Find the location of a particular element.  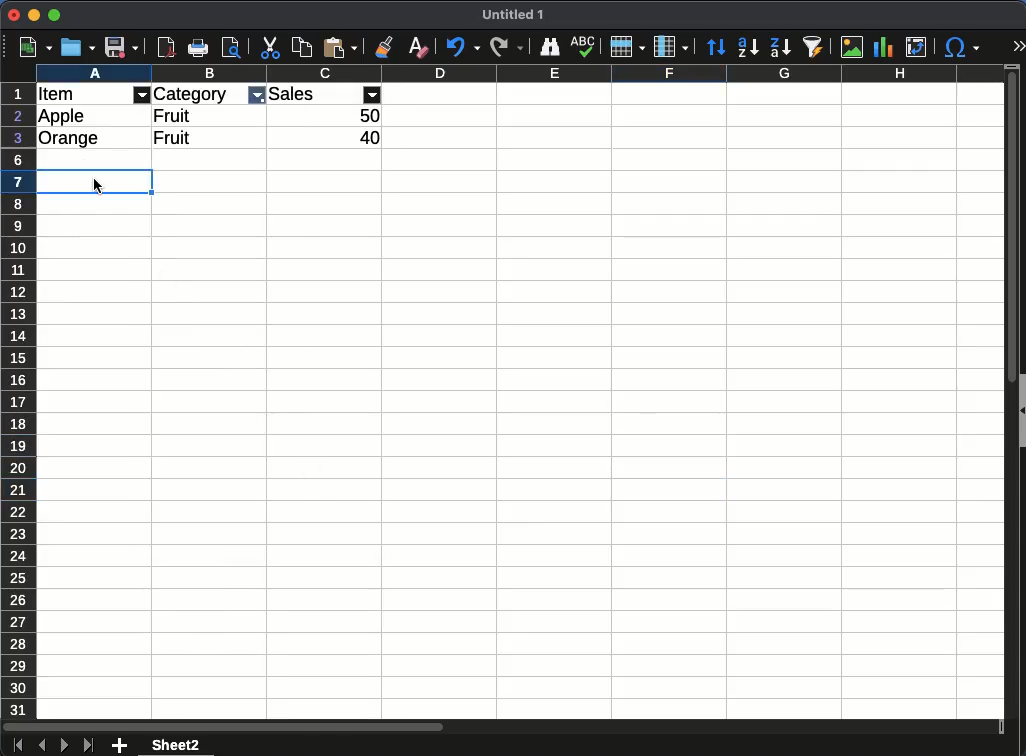

save is located at coordinates (123, 47).